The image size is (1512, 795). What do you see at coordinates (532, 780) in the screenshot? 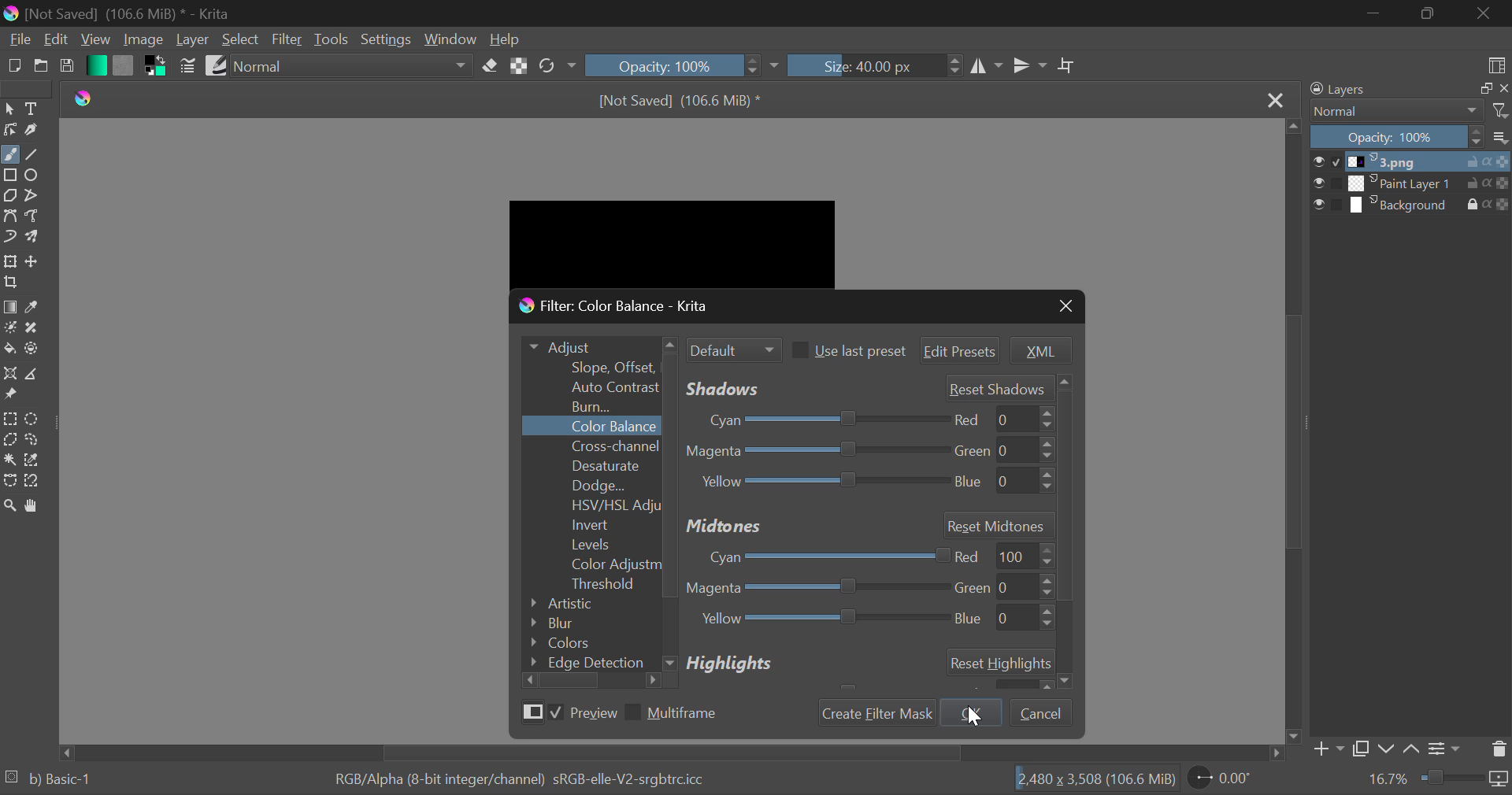
I see `RGB/Alpha (8-bit integer/channel) sRGB-elle-V2-srgbtrc.icc` at bounding box center [532, 780].